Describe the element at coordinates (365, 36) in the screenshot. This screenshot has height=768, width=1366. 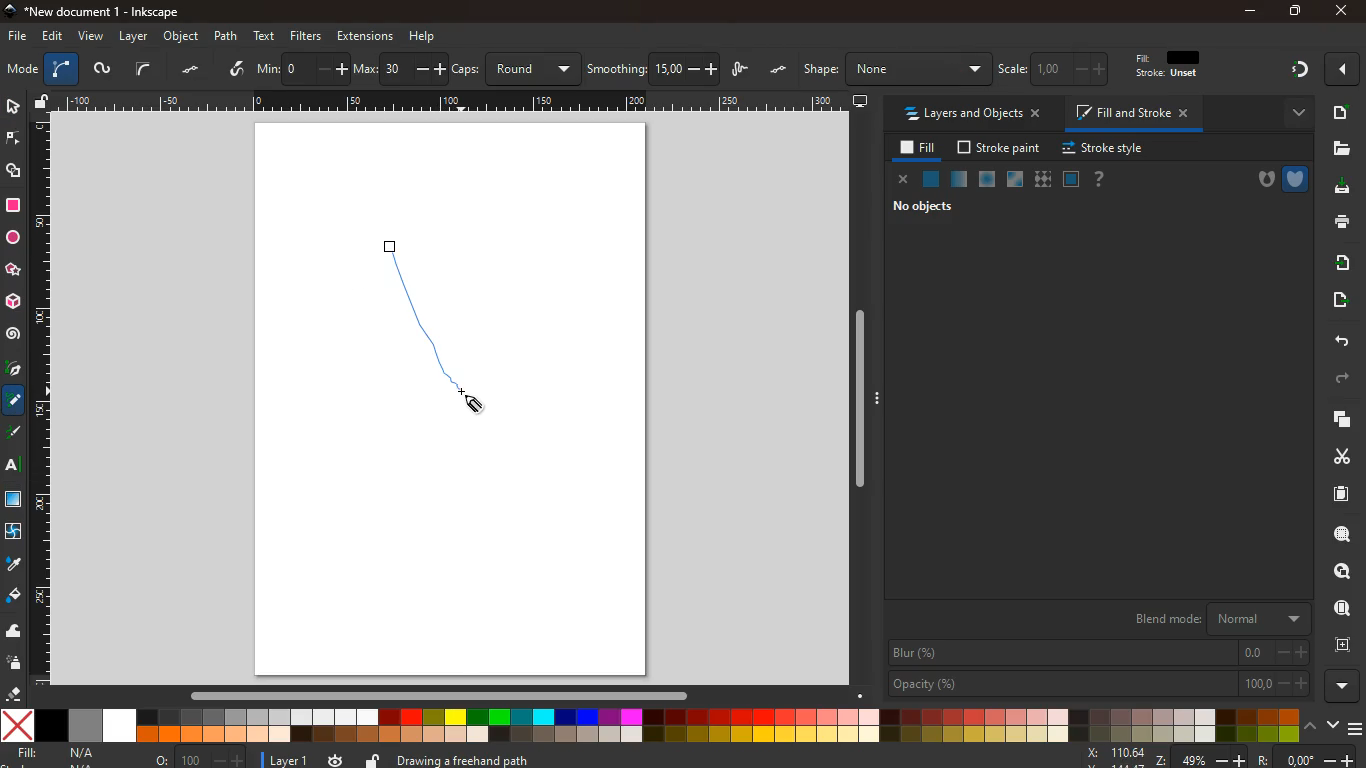
I see `extensions` at that location.